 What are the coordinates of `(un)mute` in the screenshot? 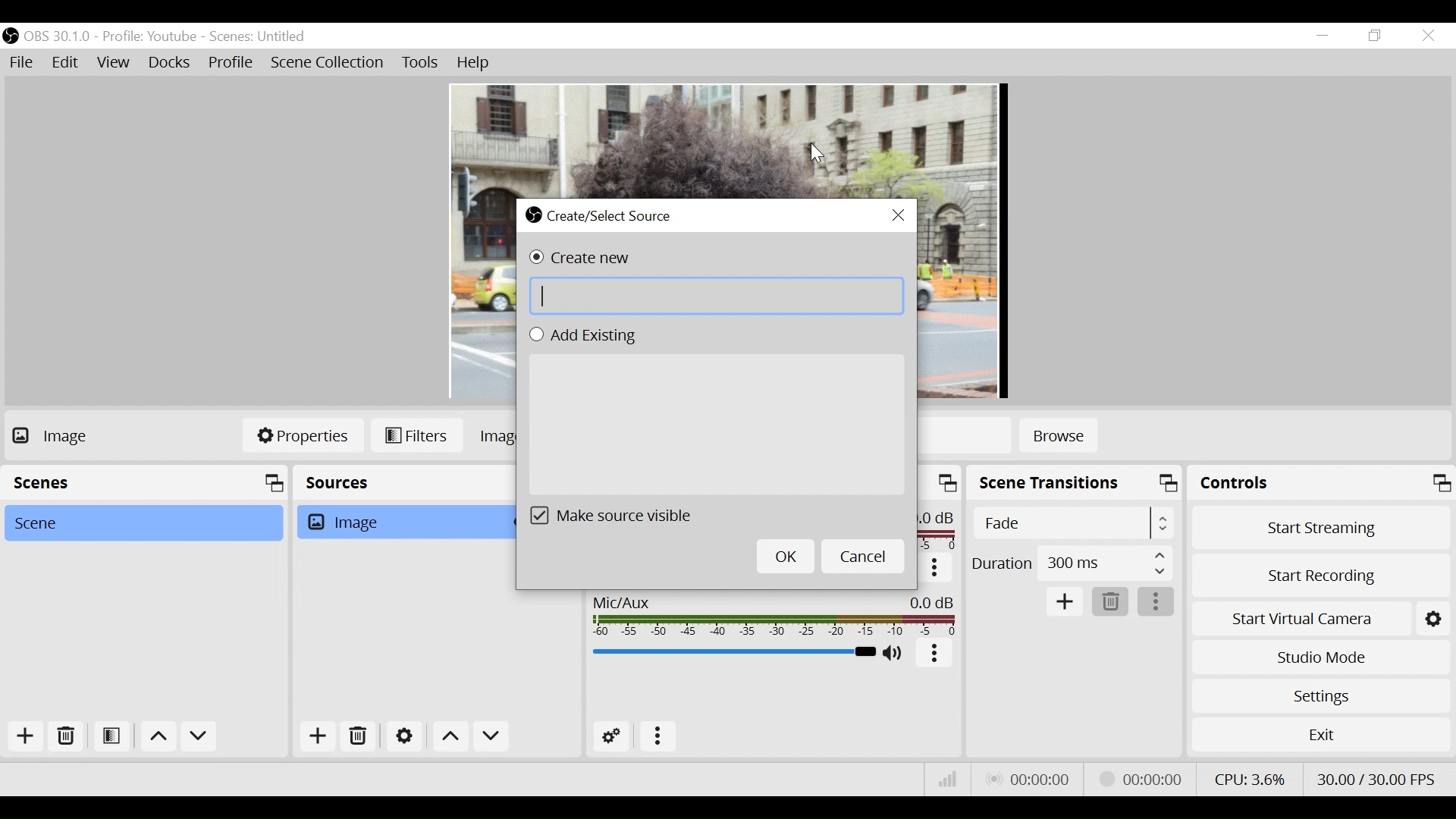 It's located at (898, 653).